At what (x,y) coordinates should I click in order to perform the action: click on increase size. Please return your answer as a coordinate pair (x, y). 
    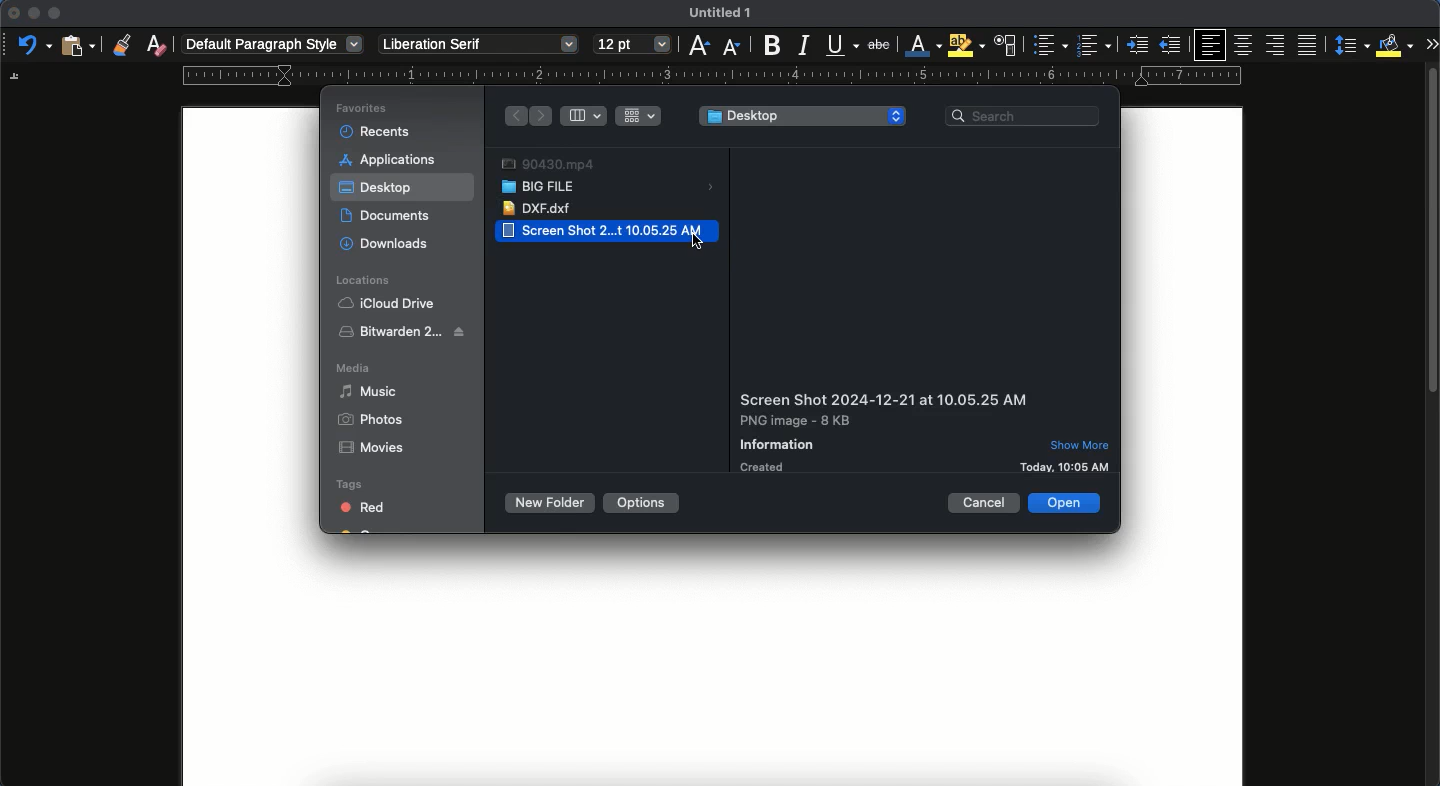
    Looking at the image, I should click on (698, 46).